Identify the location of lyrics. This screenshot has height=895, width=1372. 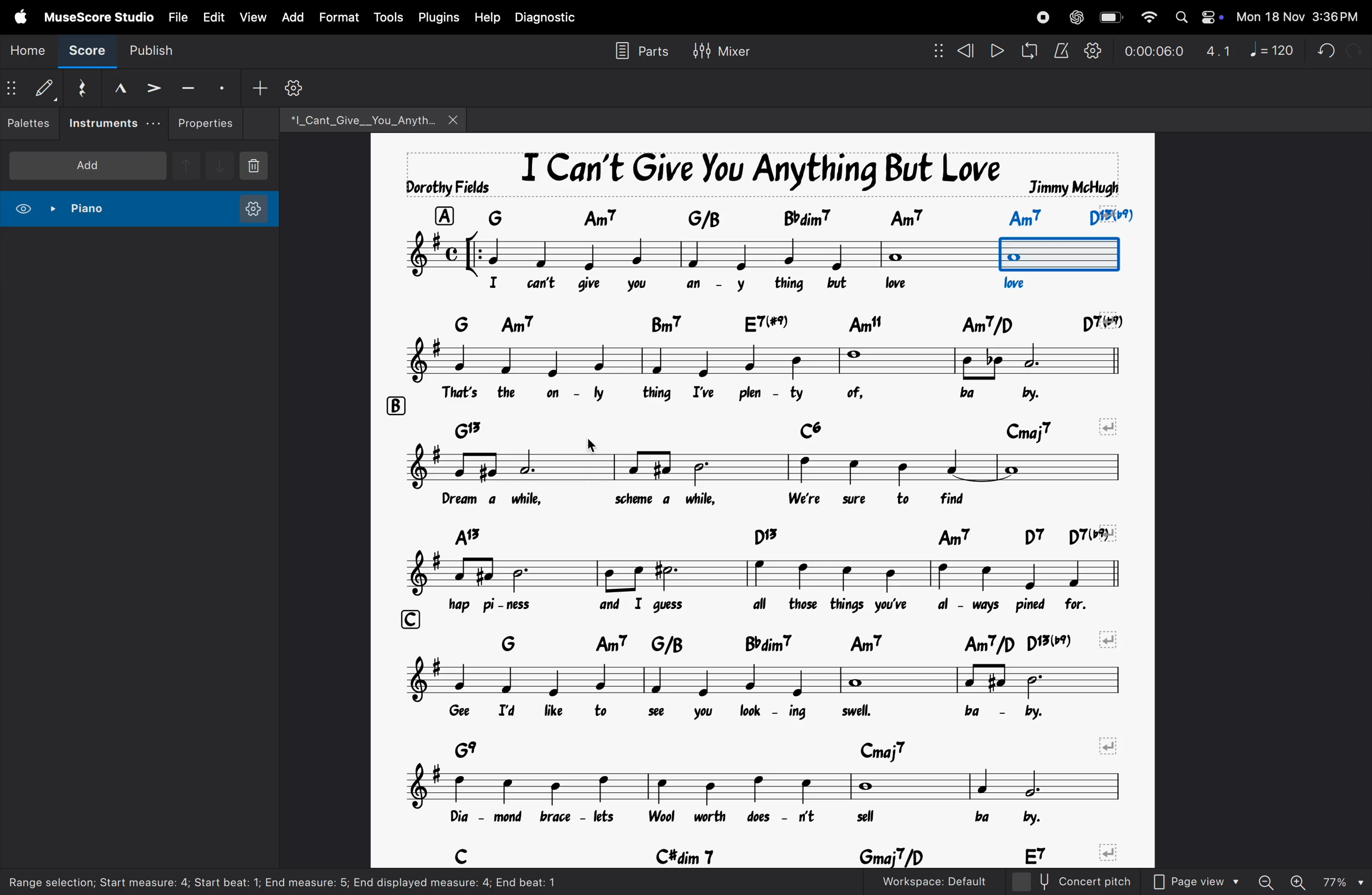
(762, 287).